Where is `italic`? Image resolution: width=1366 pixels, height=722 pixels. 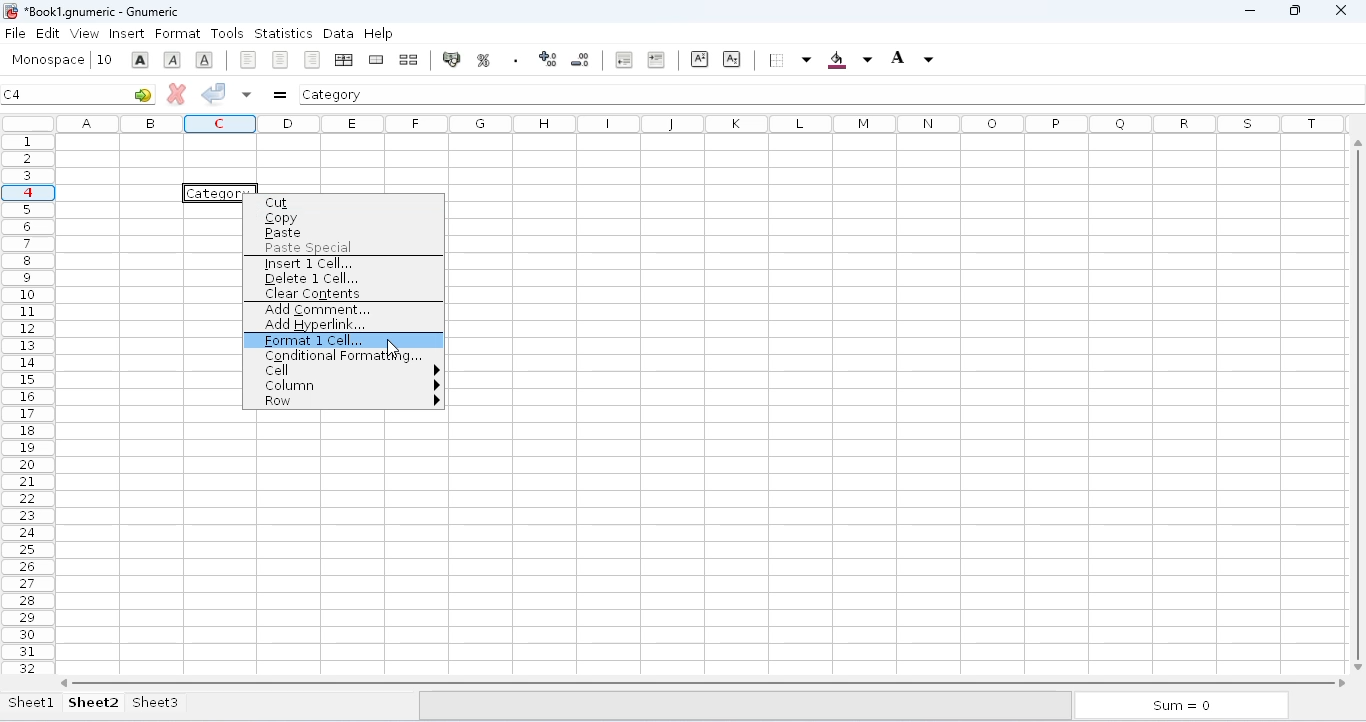 italic is located at coordinates (172, 60).